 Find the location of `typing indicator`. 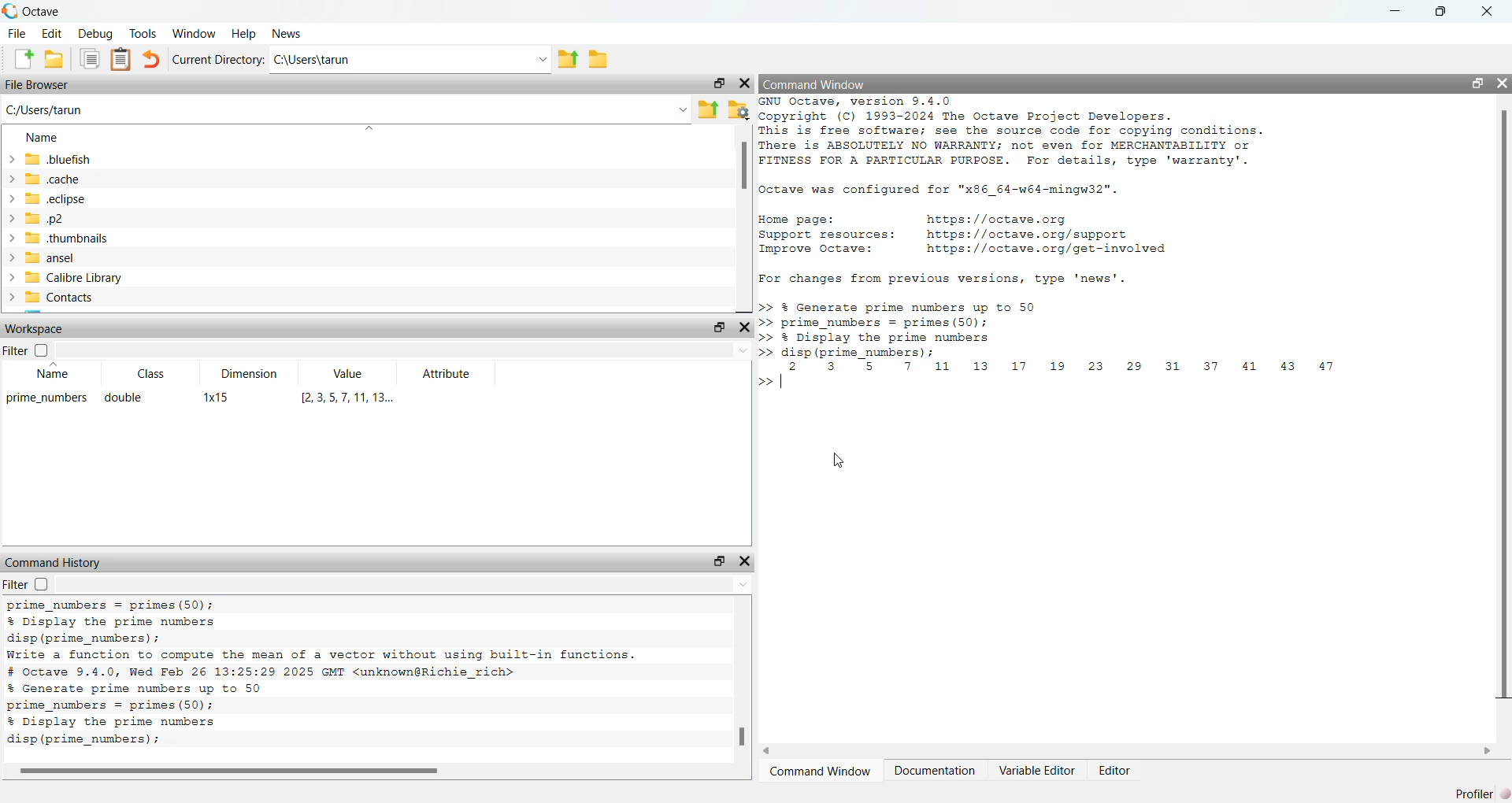

typing indicator is located at coordinates (781, 381).